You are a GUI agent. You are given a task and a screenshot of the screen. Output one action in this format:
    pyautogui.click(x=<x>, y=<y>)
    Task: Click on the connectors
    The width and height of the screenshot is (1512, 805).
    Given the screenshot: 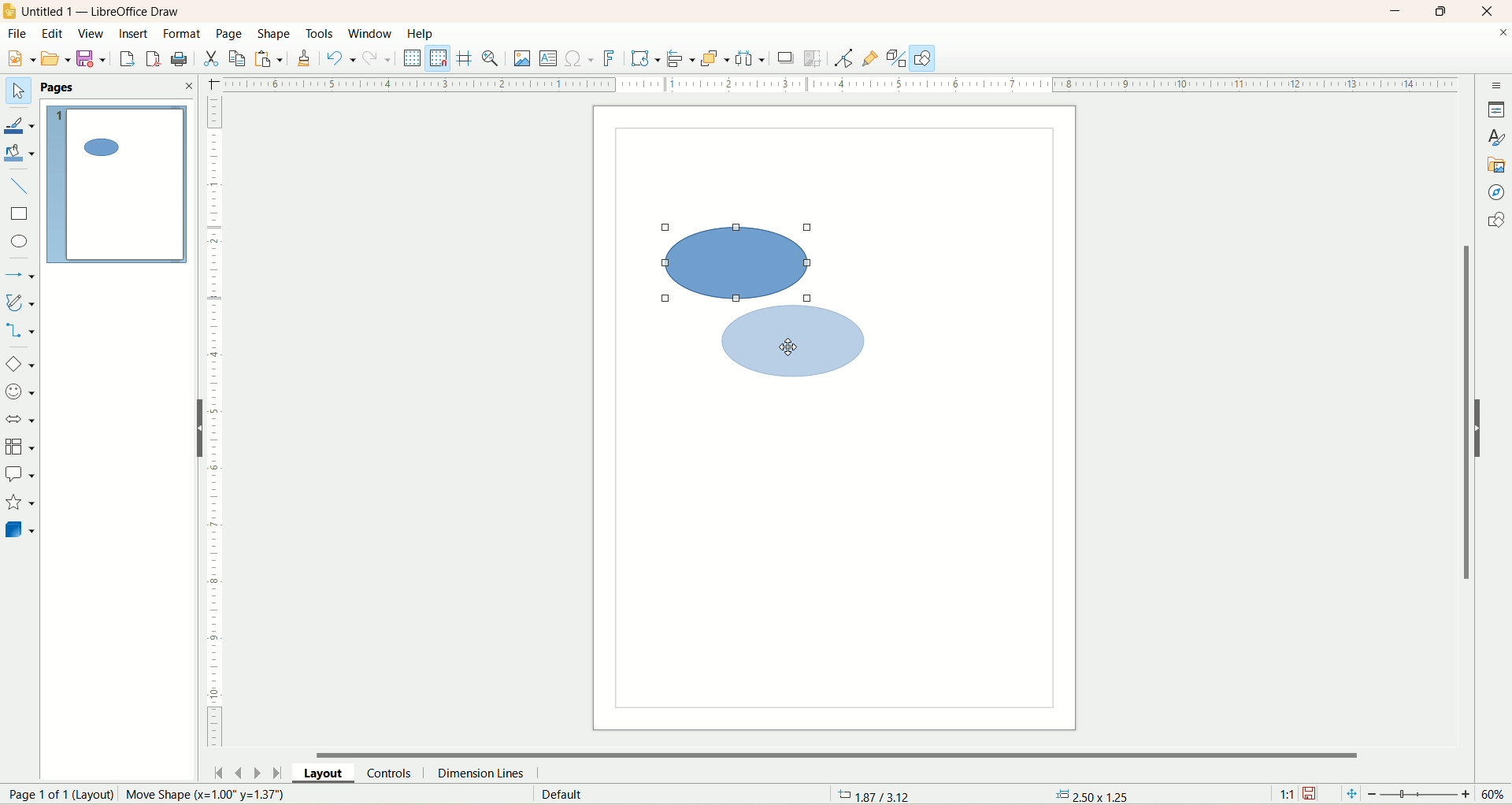 What is the action you would take?
    pyautogui.click(x=21, y=331)
    